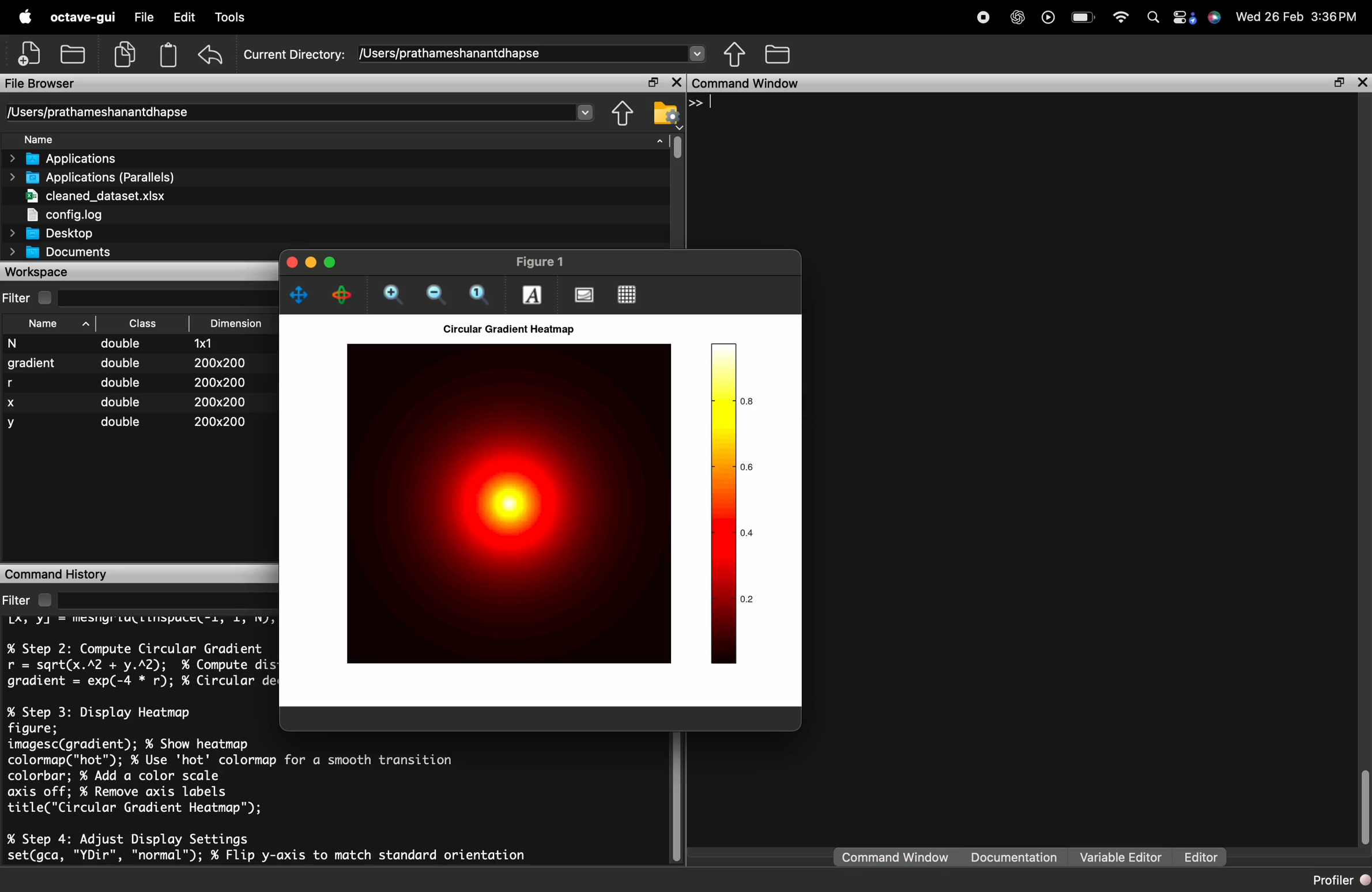 This screenshot has height=892, width=1372. Describe the element at coordinates (337, 294) in the screenshot. I see `rotate` at that location.